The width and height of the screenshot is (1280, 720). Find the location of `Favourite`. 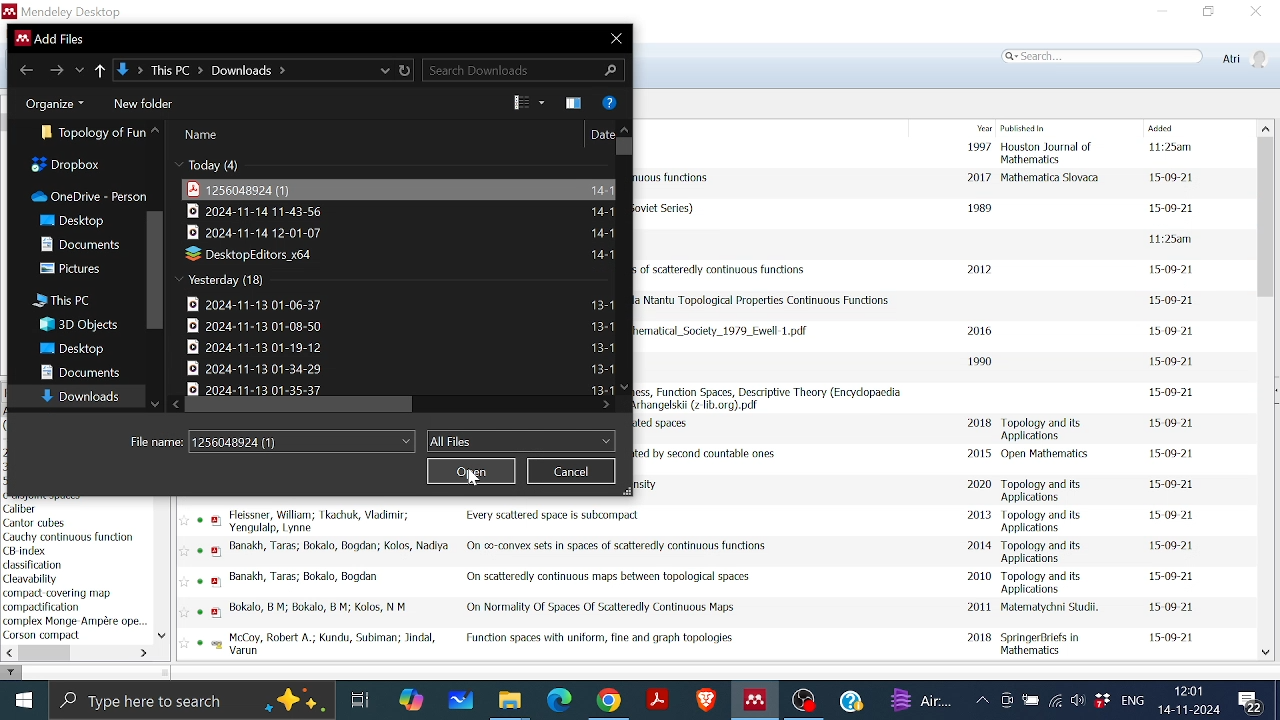

Favourite is located at coordinates (182, 644).